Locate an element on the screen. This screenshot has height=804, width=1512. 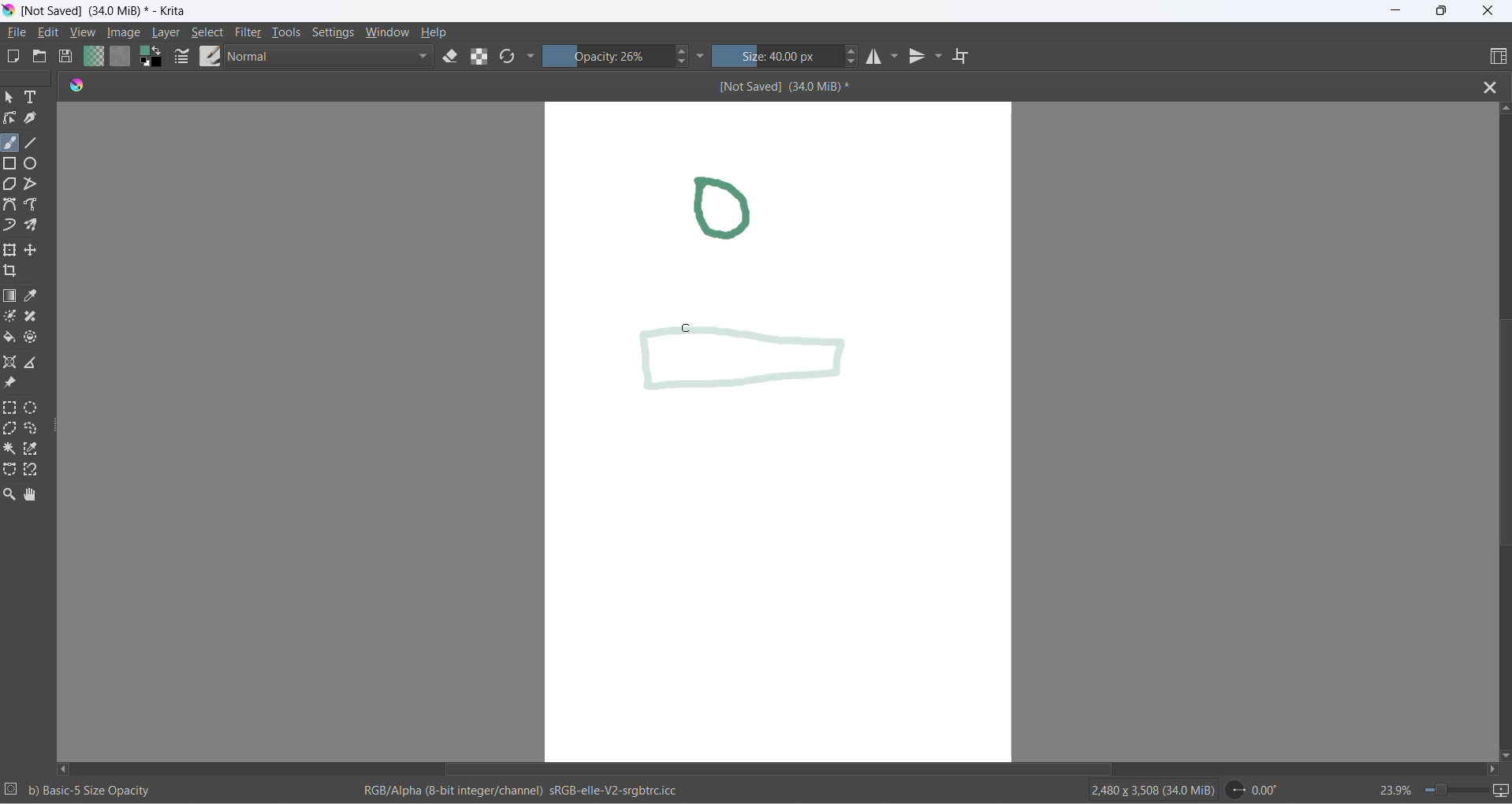
brush settings is located at coordinates (181, 58).